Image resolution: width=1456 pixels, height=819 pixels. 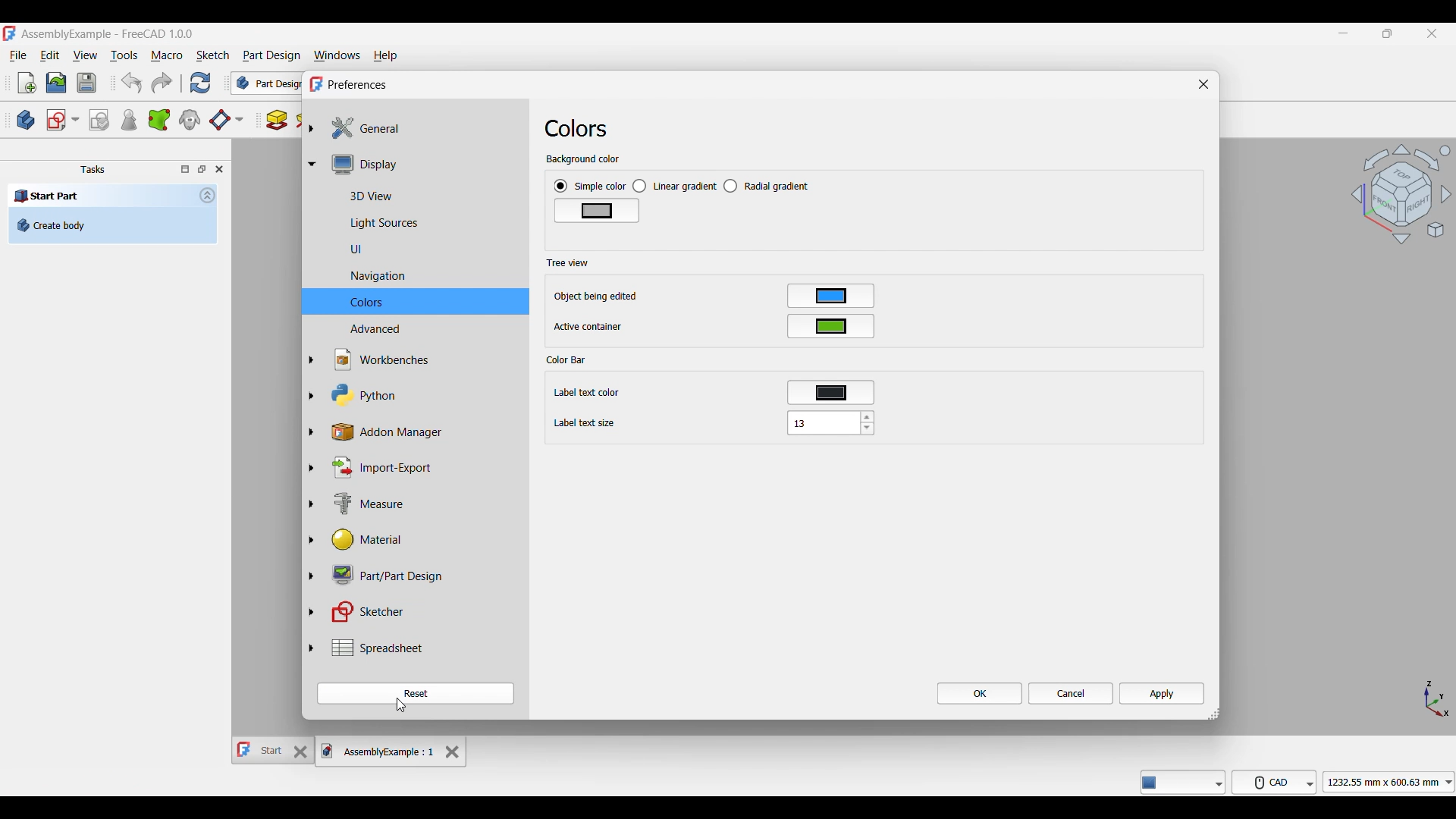 What do you see at coordinates (868, 422) in the screenshot?
I see `Increase/Decrease label text size` at bounding box center [868, 422].